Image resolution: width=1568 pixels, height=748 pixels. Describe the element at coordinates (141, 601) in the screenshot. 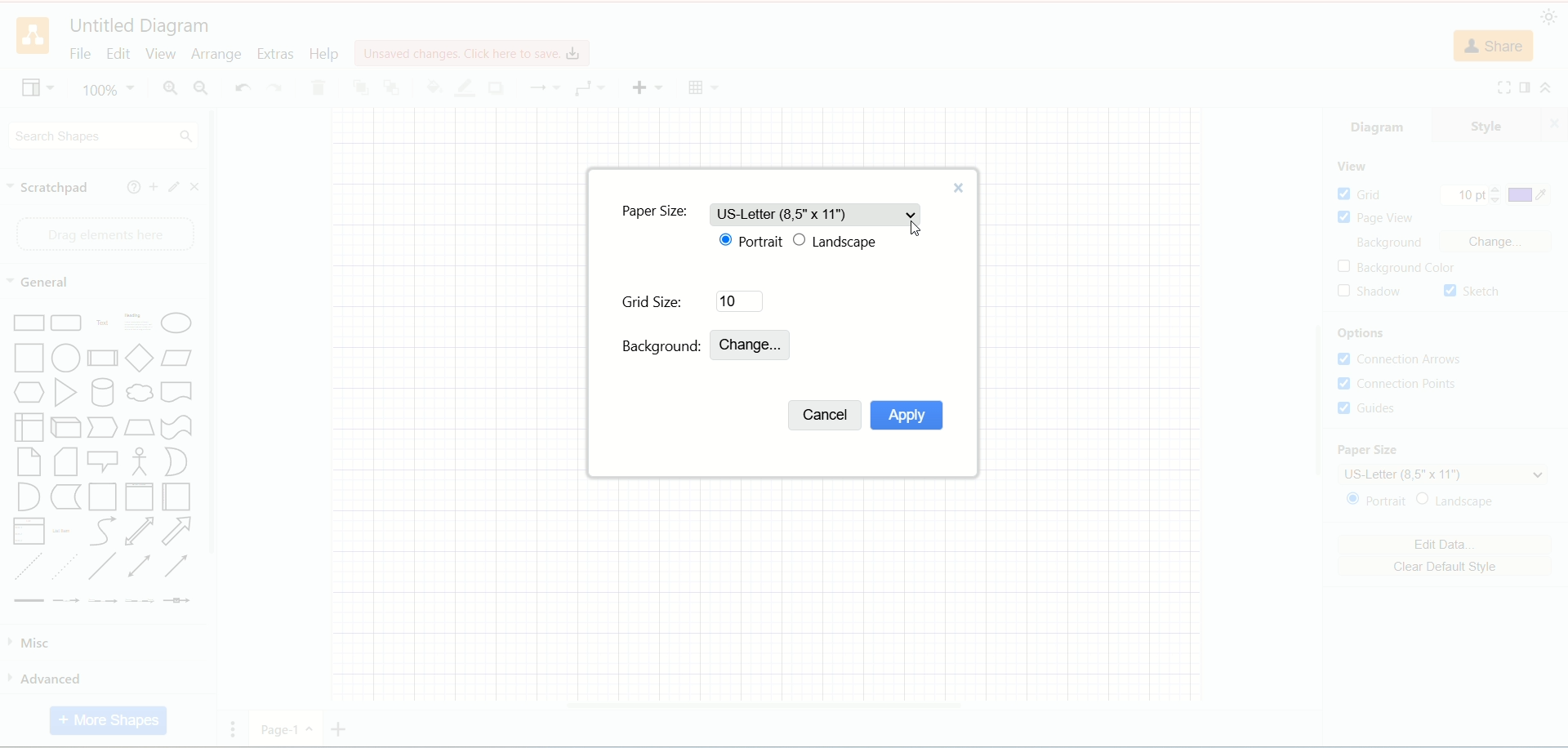

I see `Connector with 3 Labels` at that location.